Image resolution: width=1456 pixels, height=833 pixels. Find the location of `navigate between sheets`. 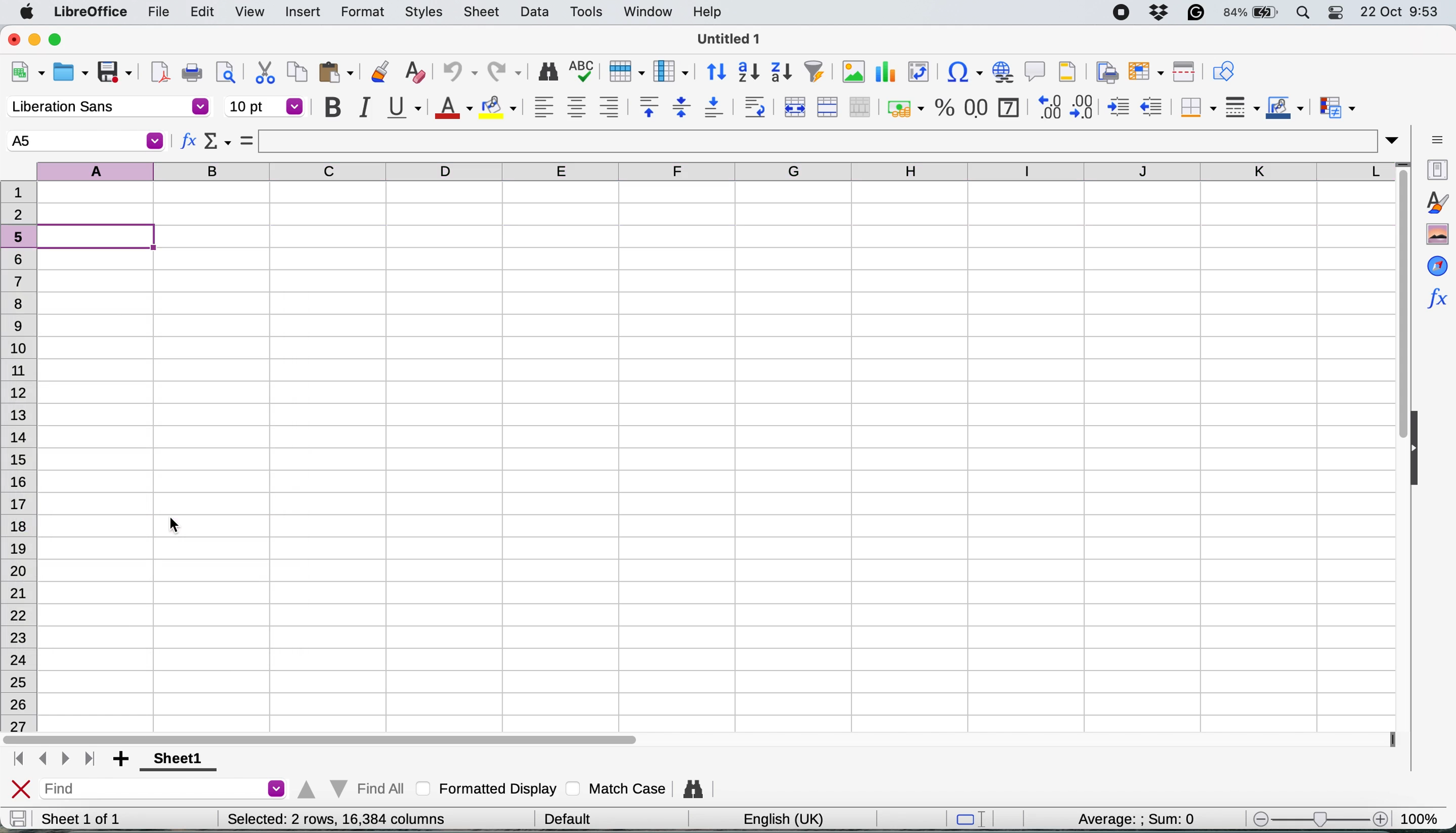

navigate between sheets is located at coordinates (53, 760).